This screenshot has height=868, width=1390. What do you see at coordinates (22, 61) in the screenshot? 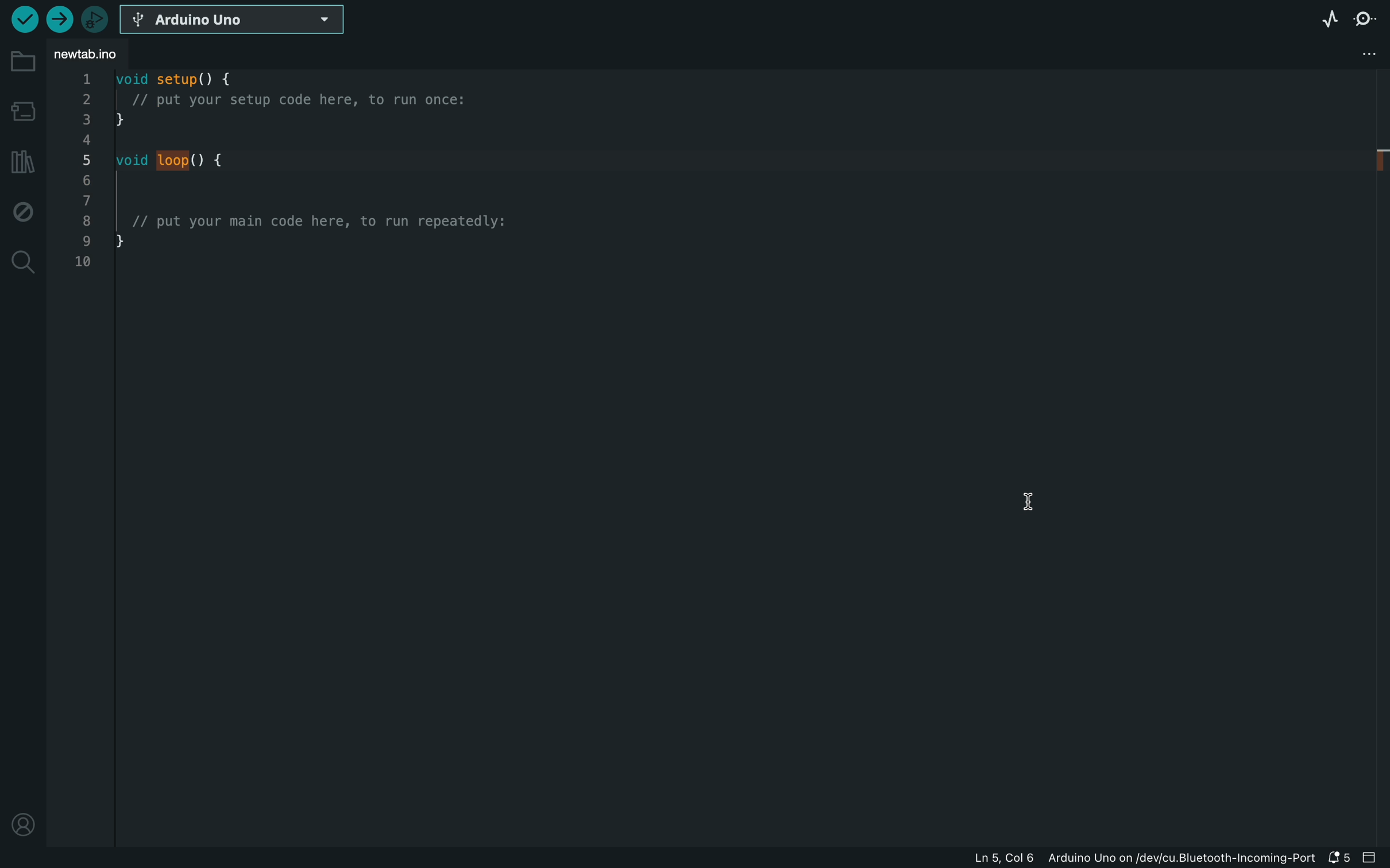
I see `folder` at bounding box center [22, 61].